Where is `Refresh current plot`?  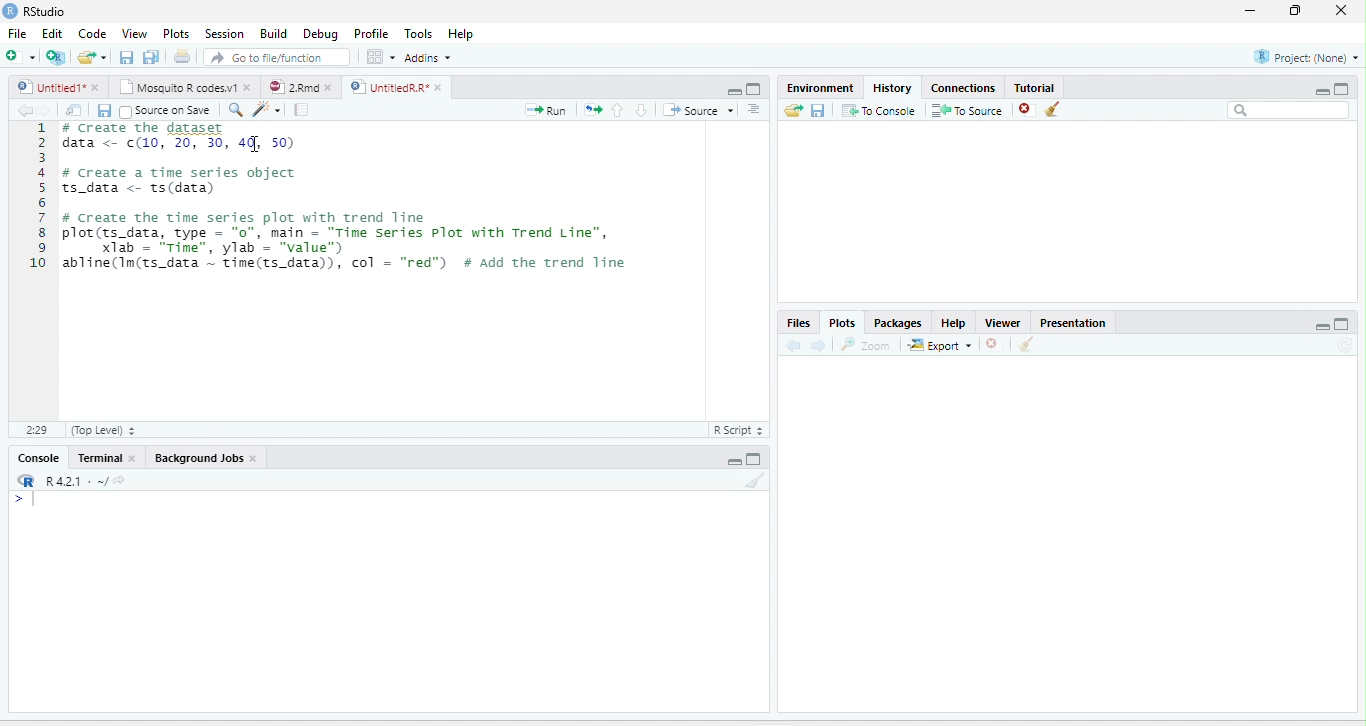 Refresh current plot is located at coordinates (1346, 345).